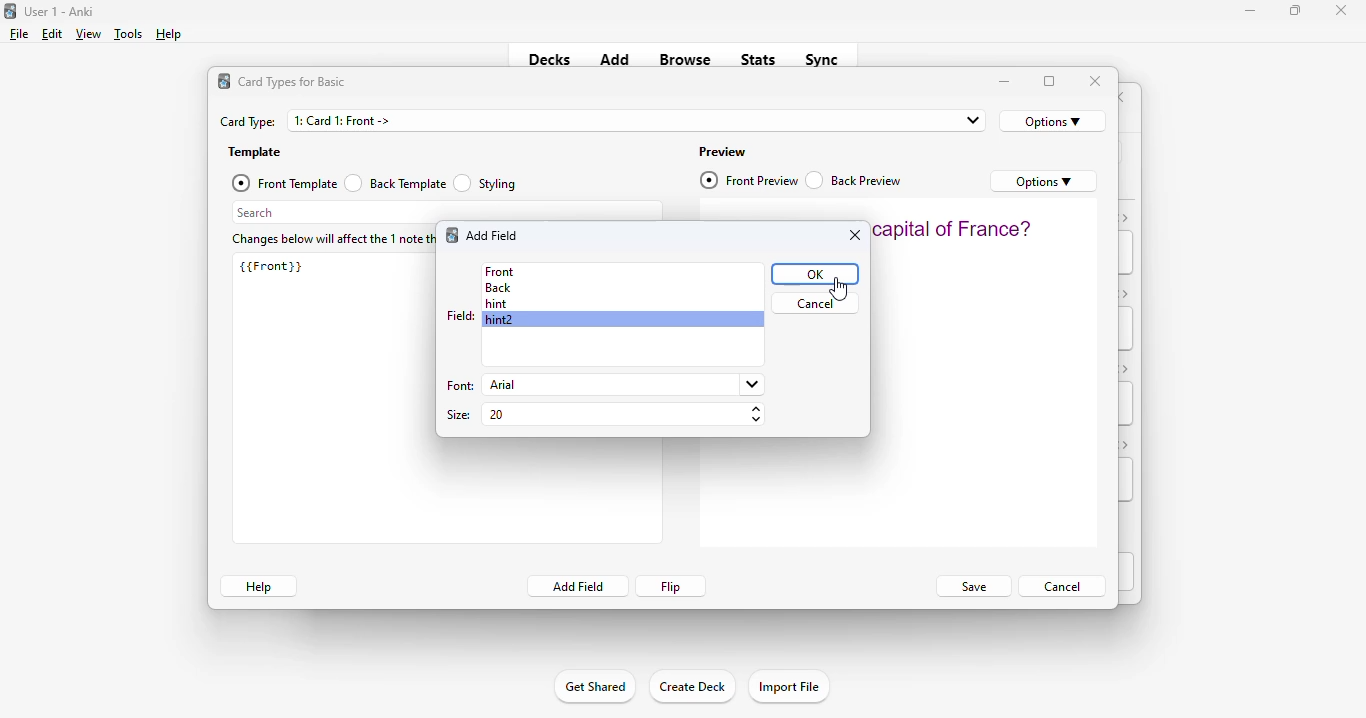 Image resolution: width=1366 pixels, height=718 pixels. What do you see at coordinates (814, 274) in the screenshot?
I see `OK` at bounding box center [814, 274].